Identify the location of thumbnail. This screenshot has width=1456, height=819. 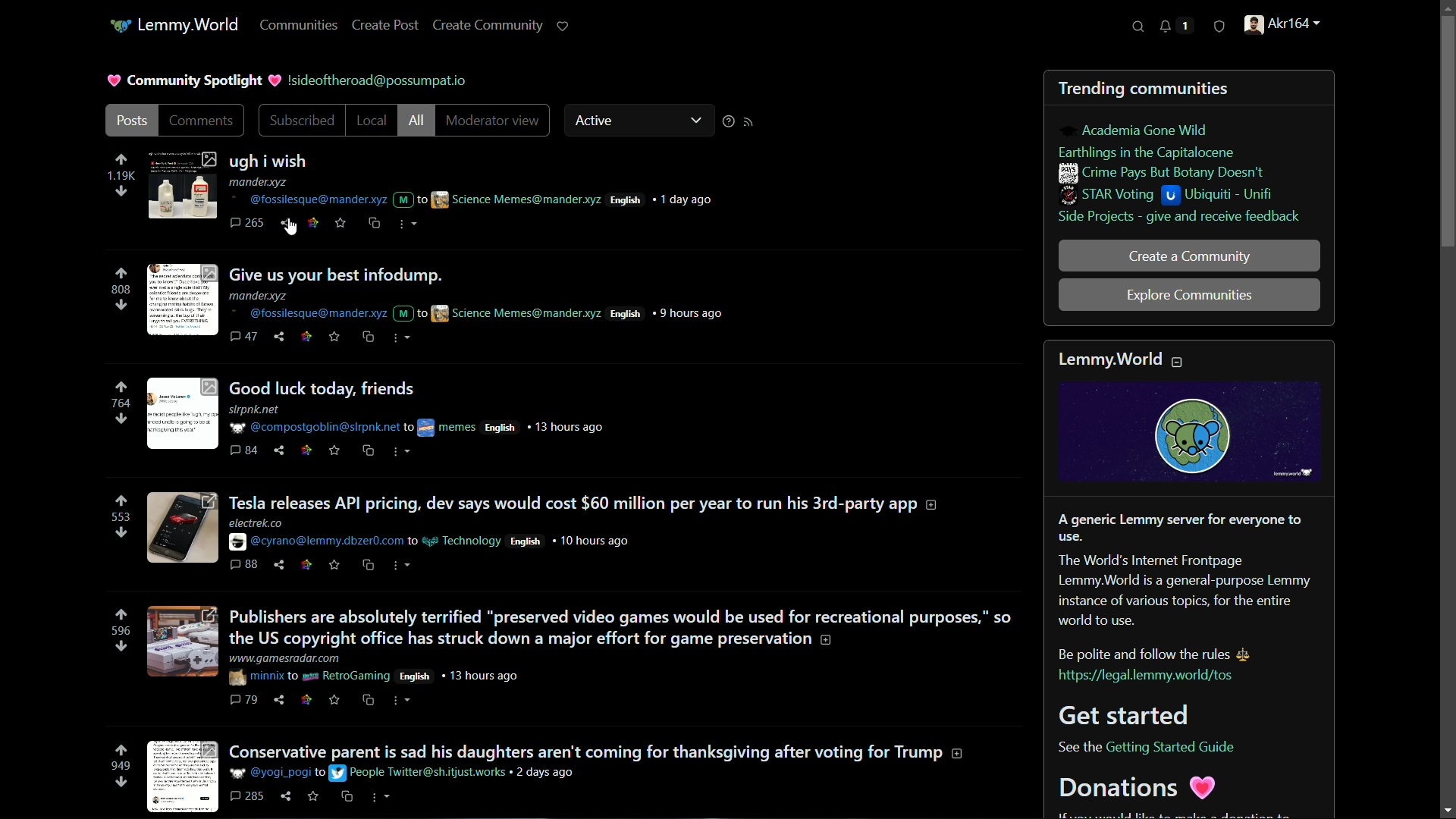
(179, 777).